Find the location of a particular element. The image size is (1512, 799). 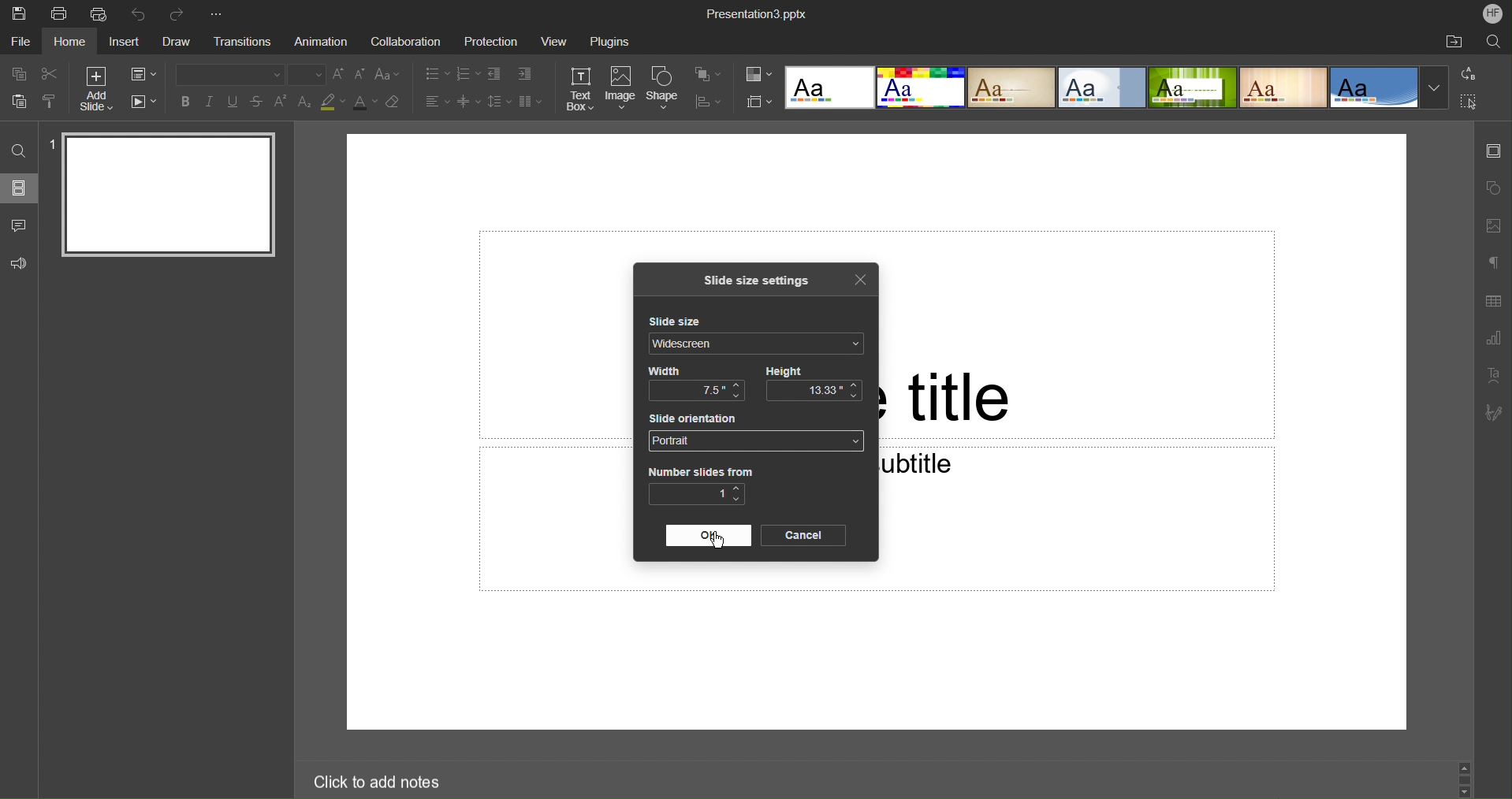

Graph is located at coordinates (1494, 339).